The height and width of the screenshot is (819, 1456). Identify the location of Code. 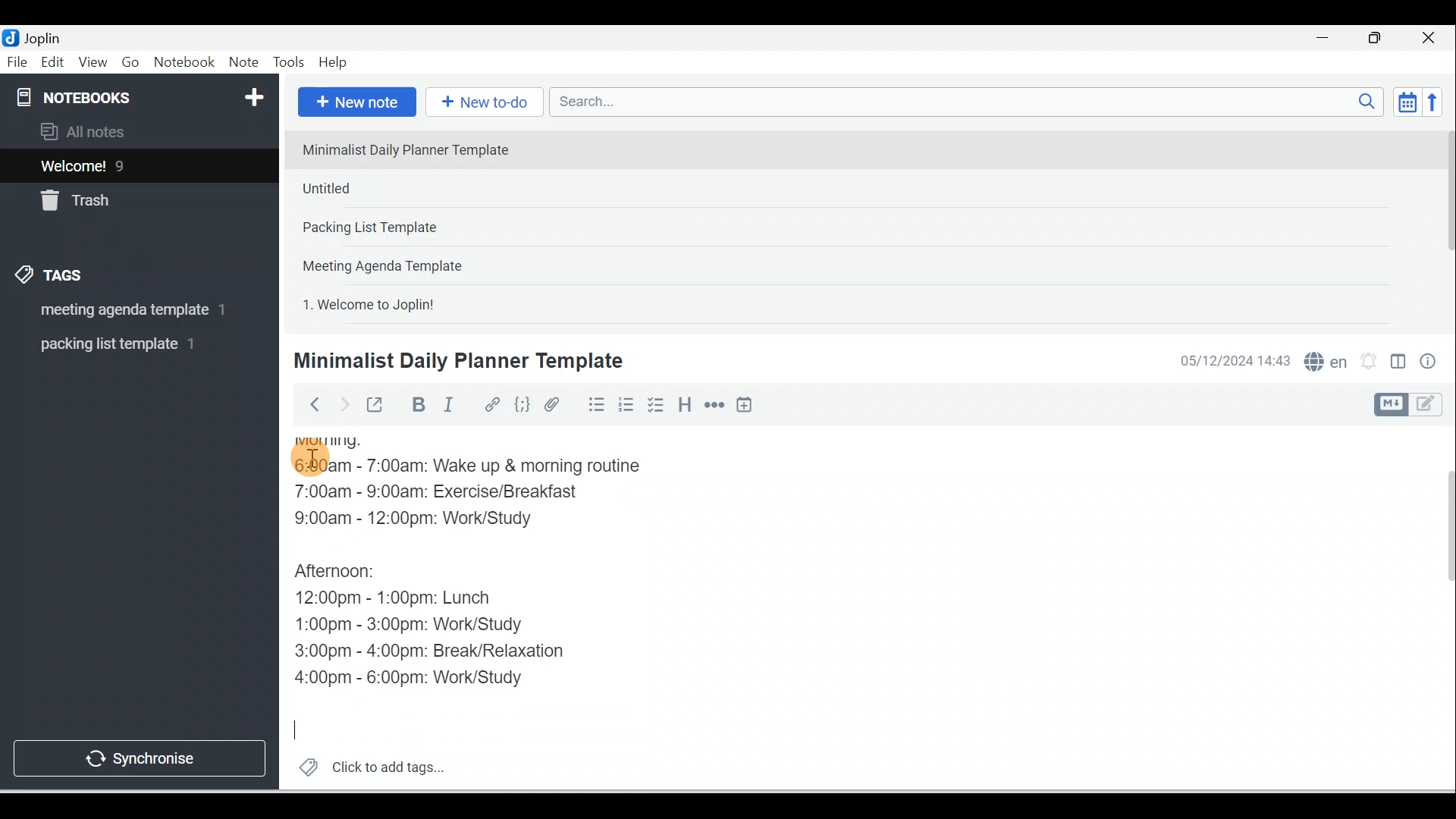
(522, 406).